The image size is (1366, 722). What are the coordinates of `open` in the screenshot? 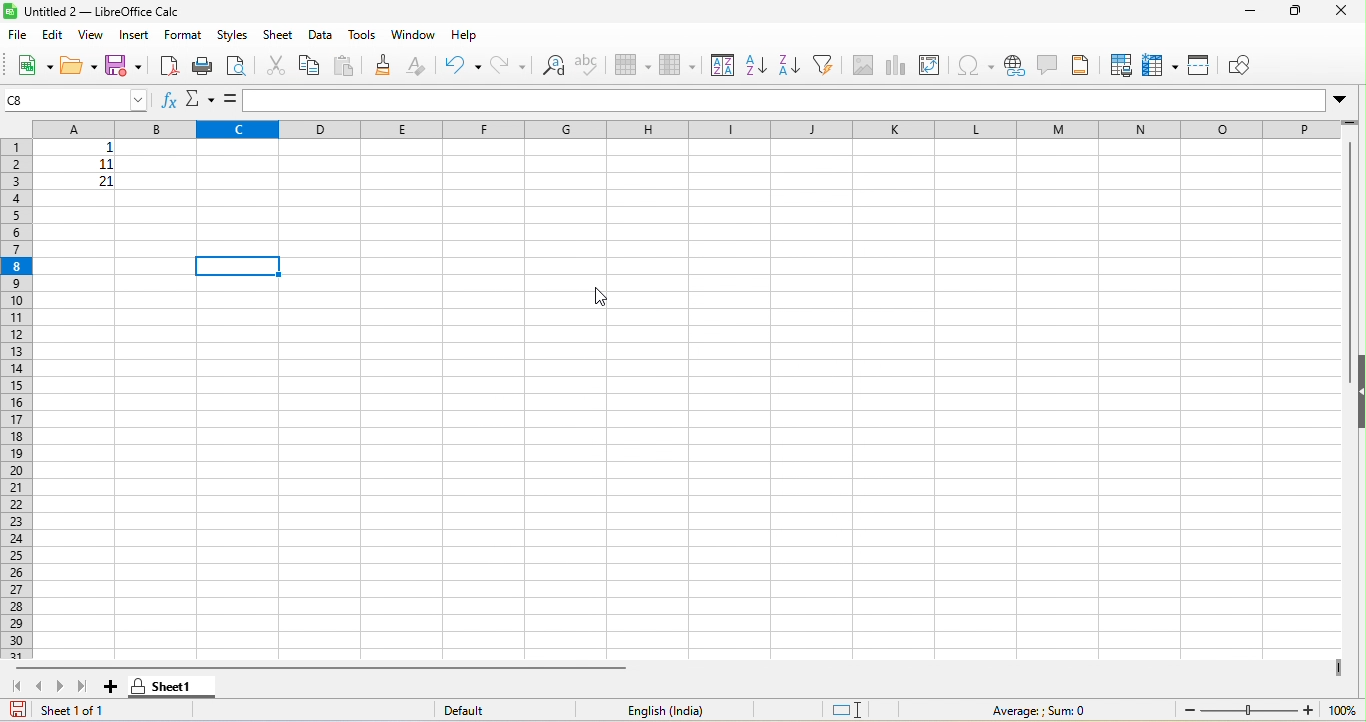 It's located at (78, 67).